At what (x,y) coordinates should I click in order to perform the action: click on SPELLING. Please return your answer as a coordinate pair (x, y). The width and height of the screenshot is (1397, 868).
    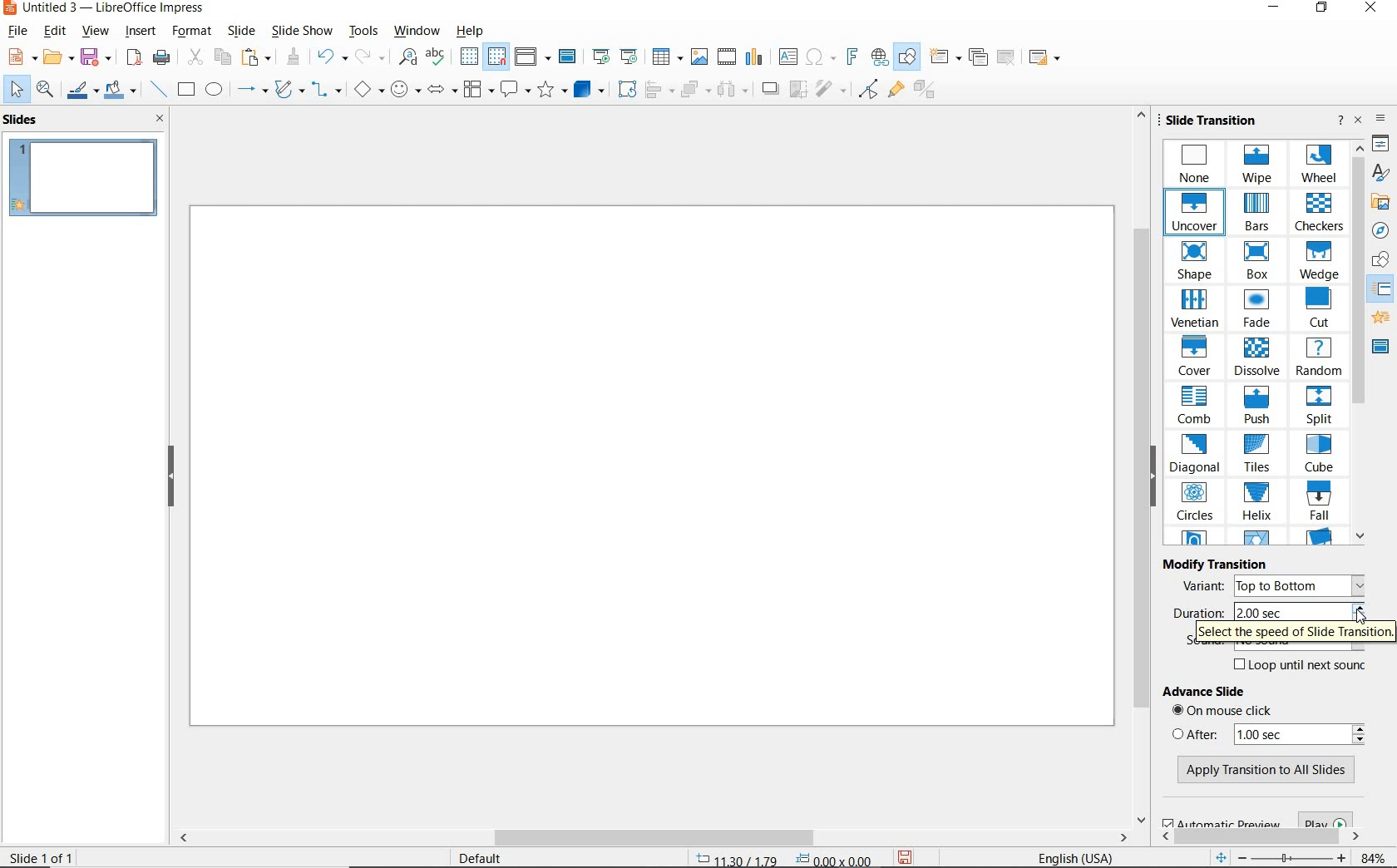
    Looking at the image, I should click on (437, 57).